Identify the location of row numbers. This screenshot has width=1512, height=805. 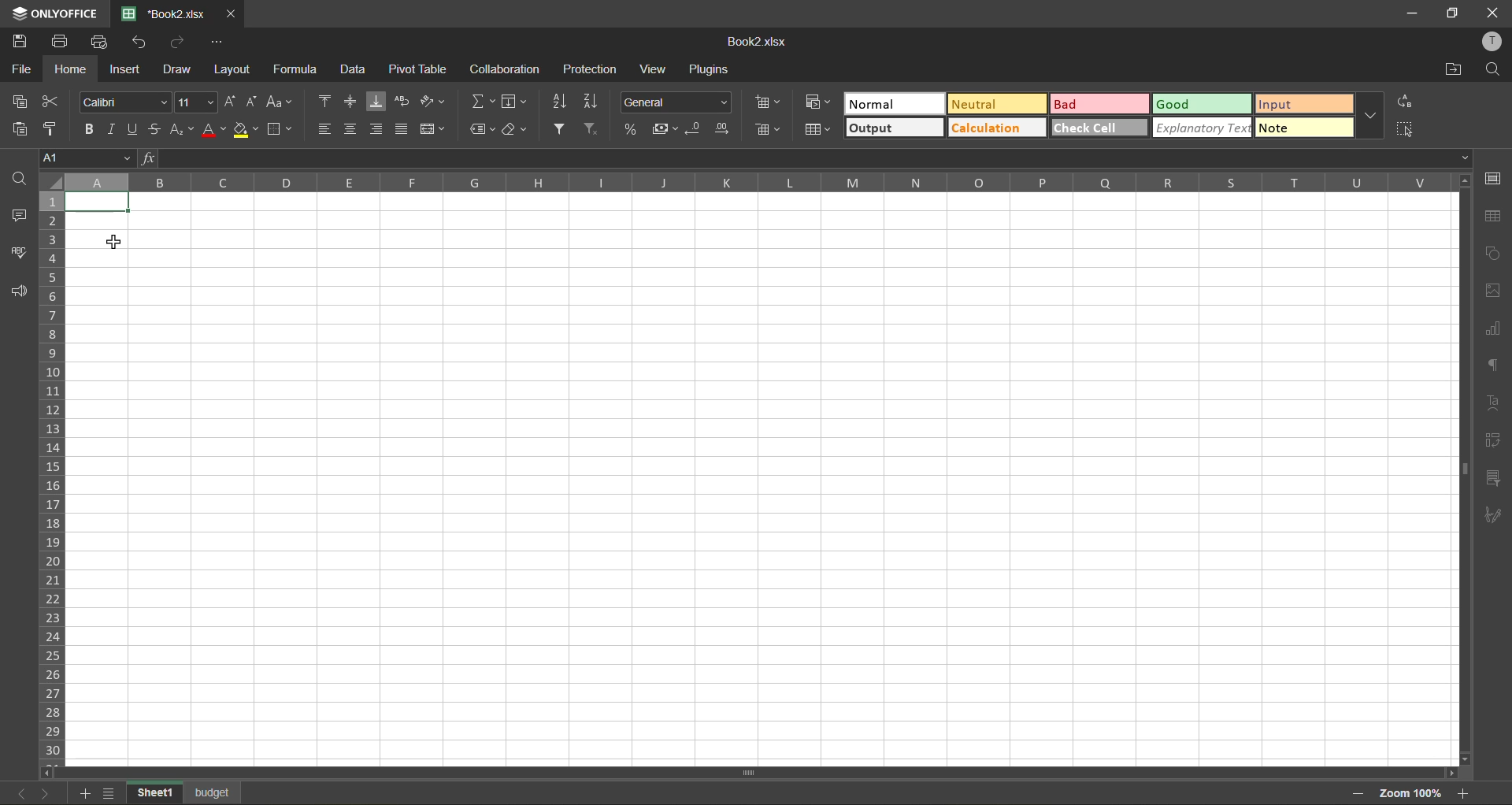
(51, 475).